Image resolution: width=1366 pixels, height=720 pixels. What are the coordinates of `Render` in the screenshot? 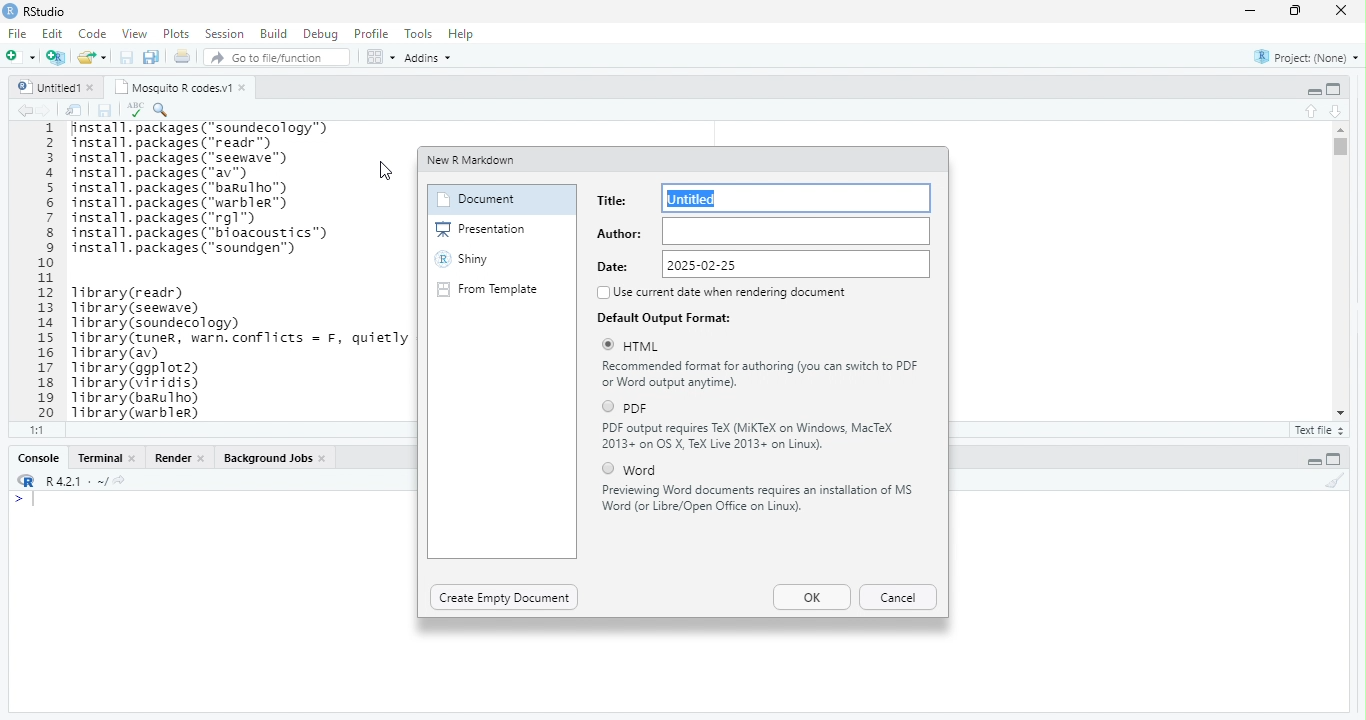 It's located at (174, 458).